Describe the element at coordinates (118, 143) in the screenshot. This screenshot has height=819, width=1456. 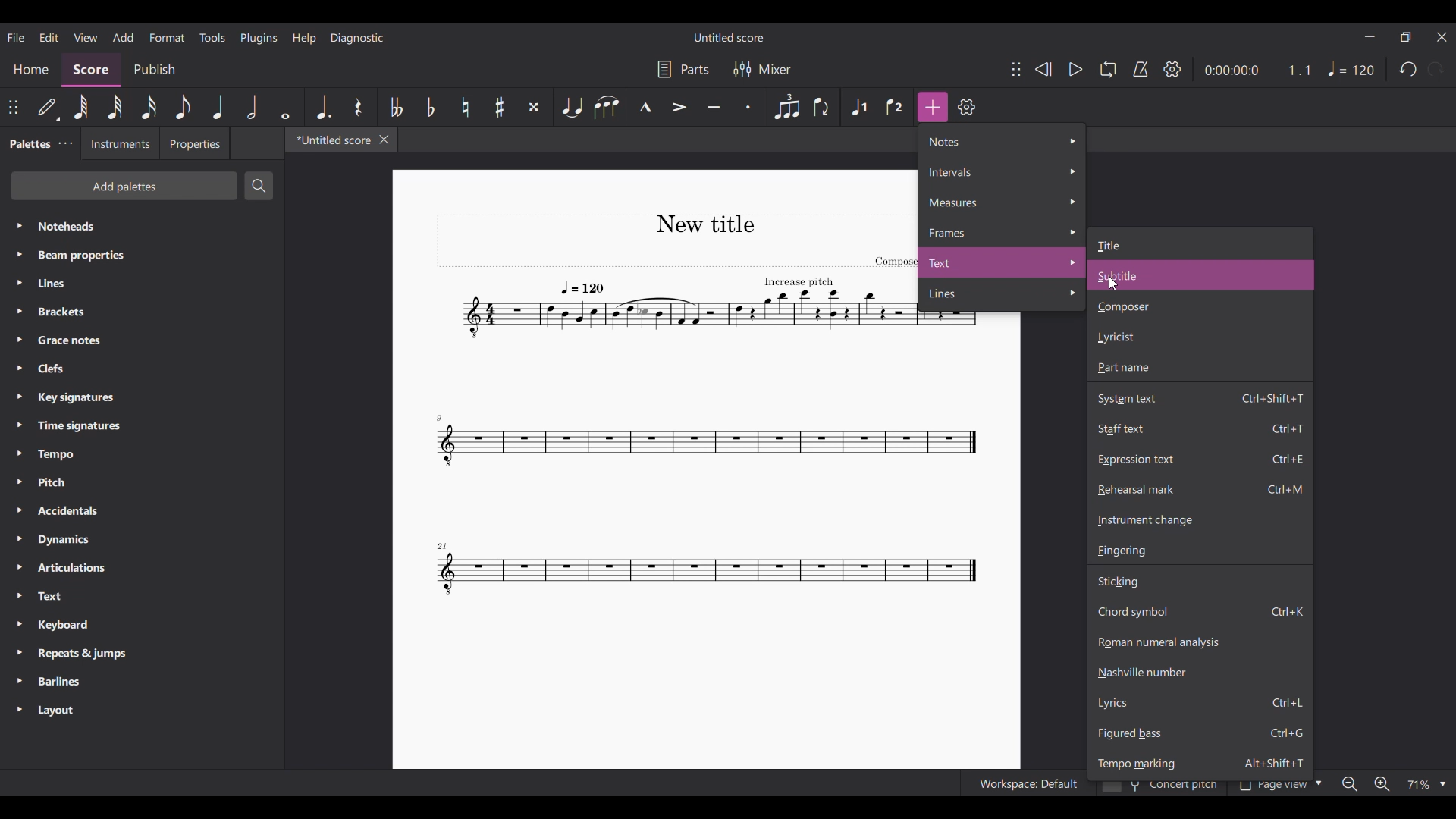
I see `Instruments` at that location.